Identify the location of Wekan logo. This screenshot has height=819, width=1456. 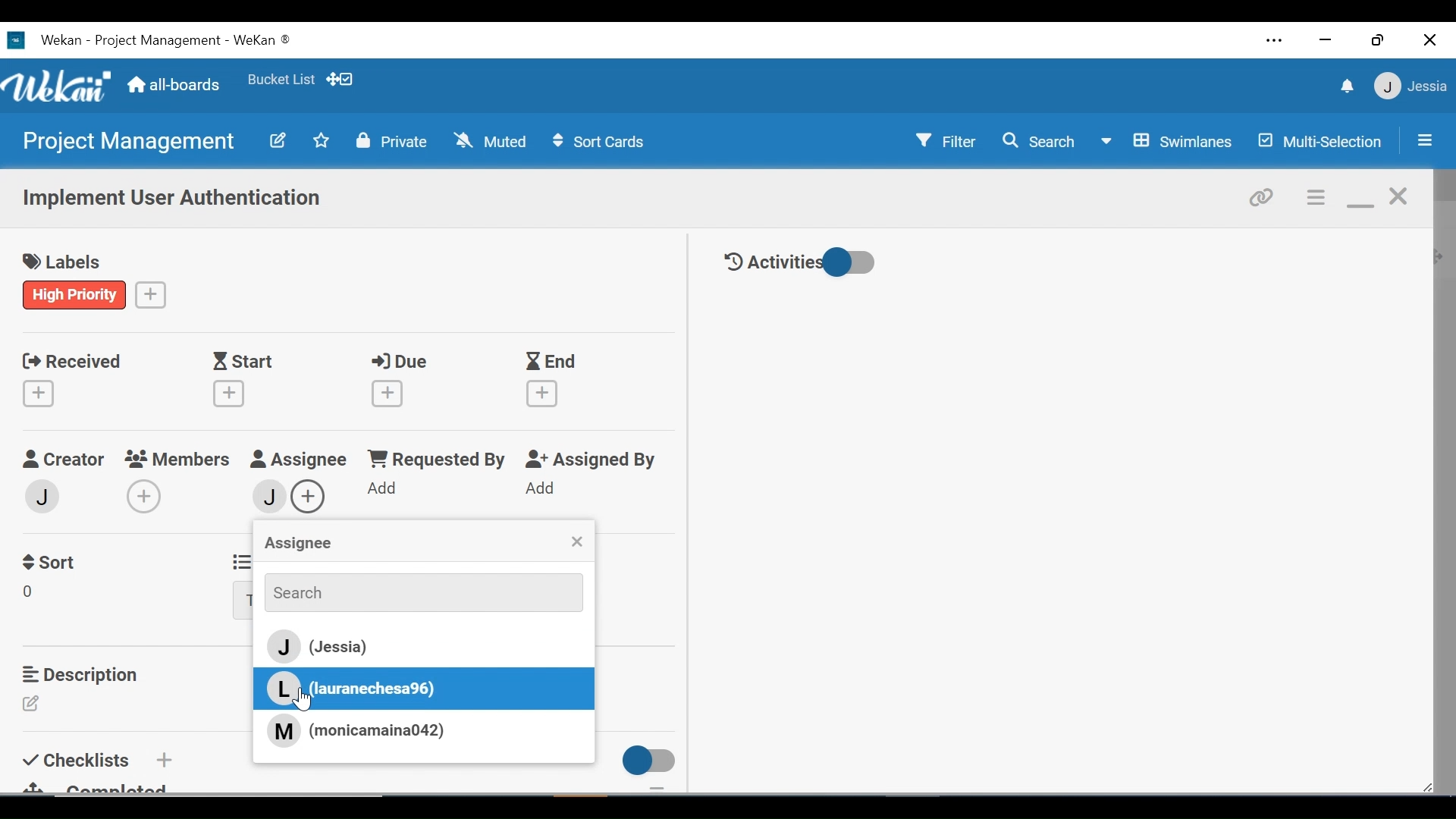
(60, 88).